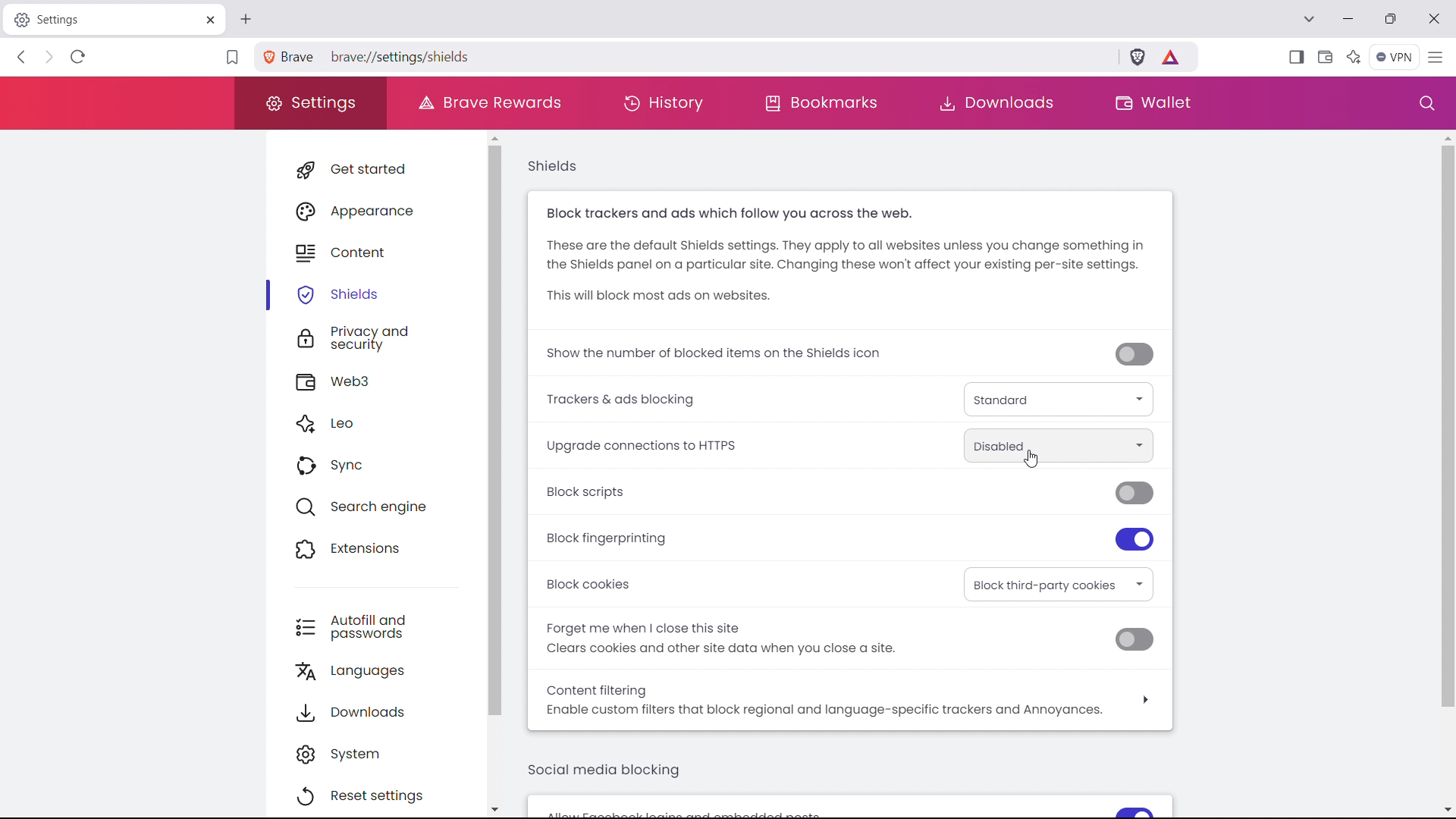 The image size is (1456, 819). Describe the element at coordinates (1139, 493) in the screenshot. I see `toggle off` at that location.